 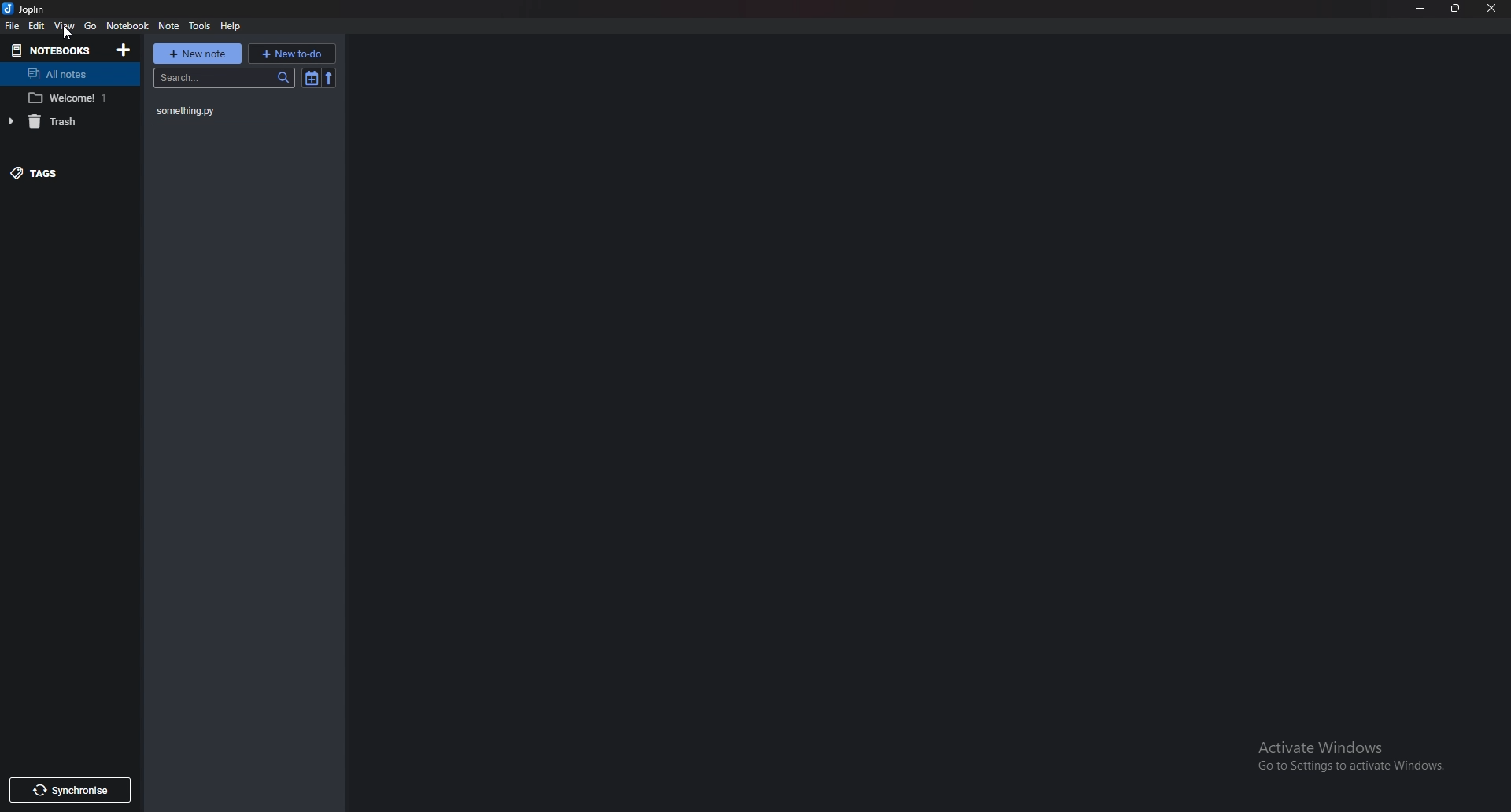 What do you see at coordinates (201, 26) in the screenshot?
I see `tools` at bounding box center [201, 26].